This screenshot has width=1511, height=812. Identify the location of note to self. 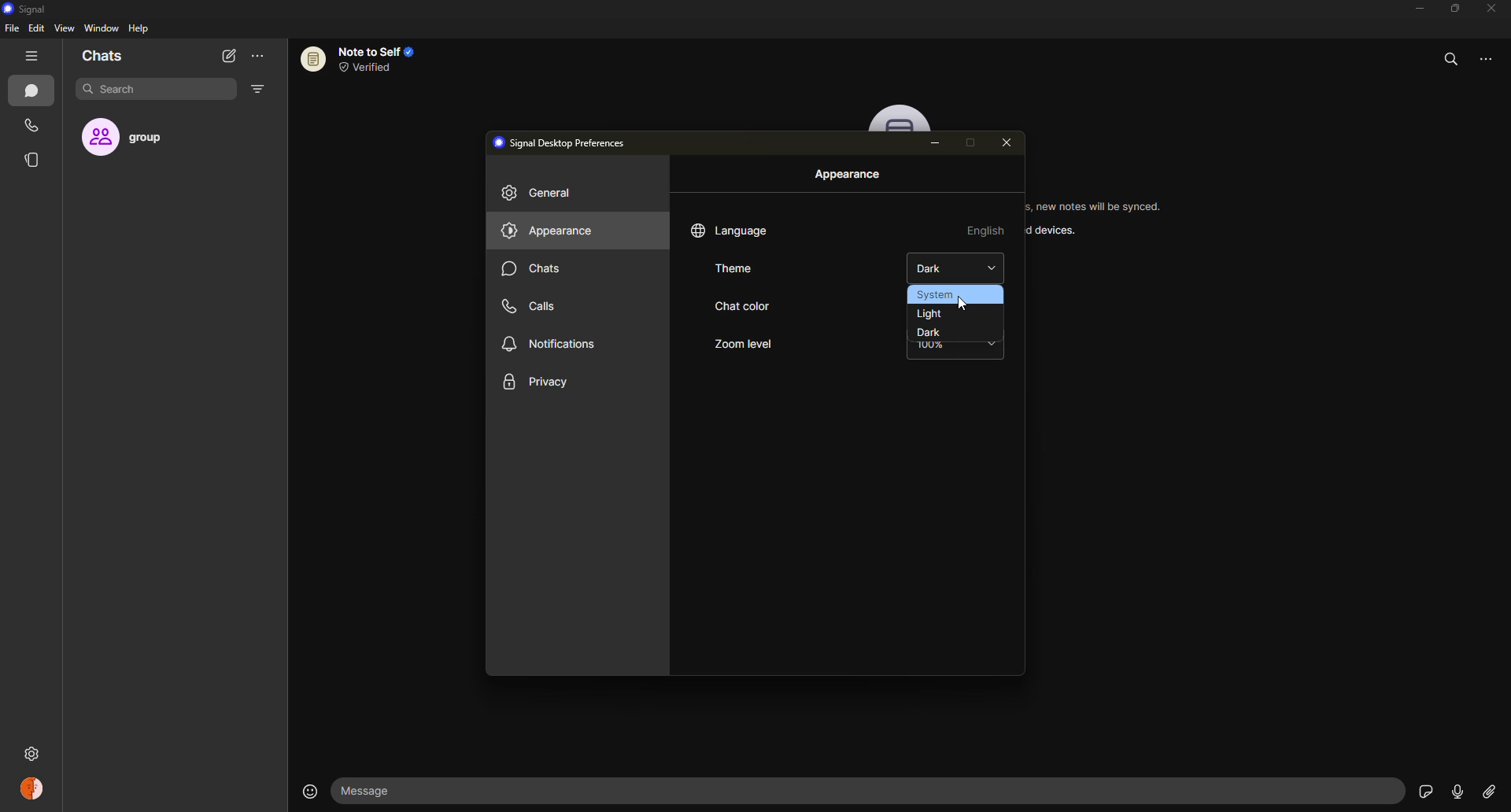
(365, 58).